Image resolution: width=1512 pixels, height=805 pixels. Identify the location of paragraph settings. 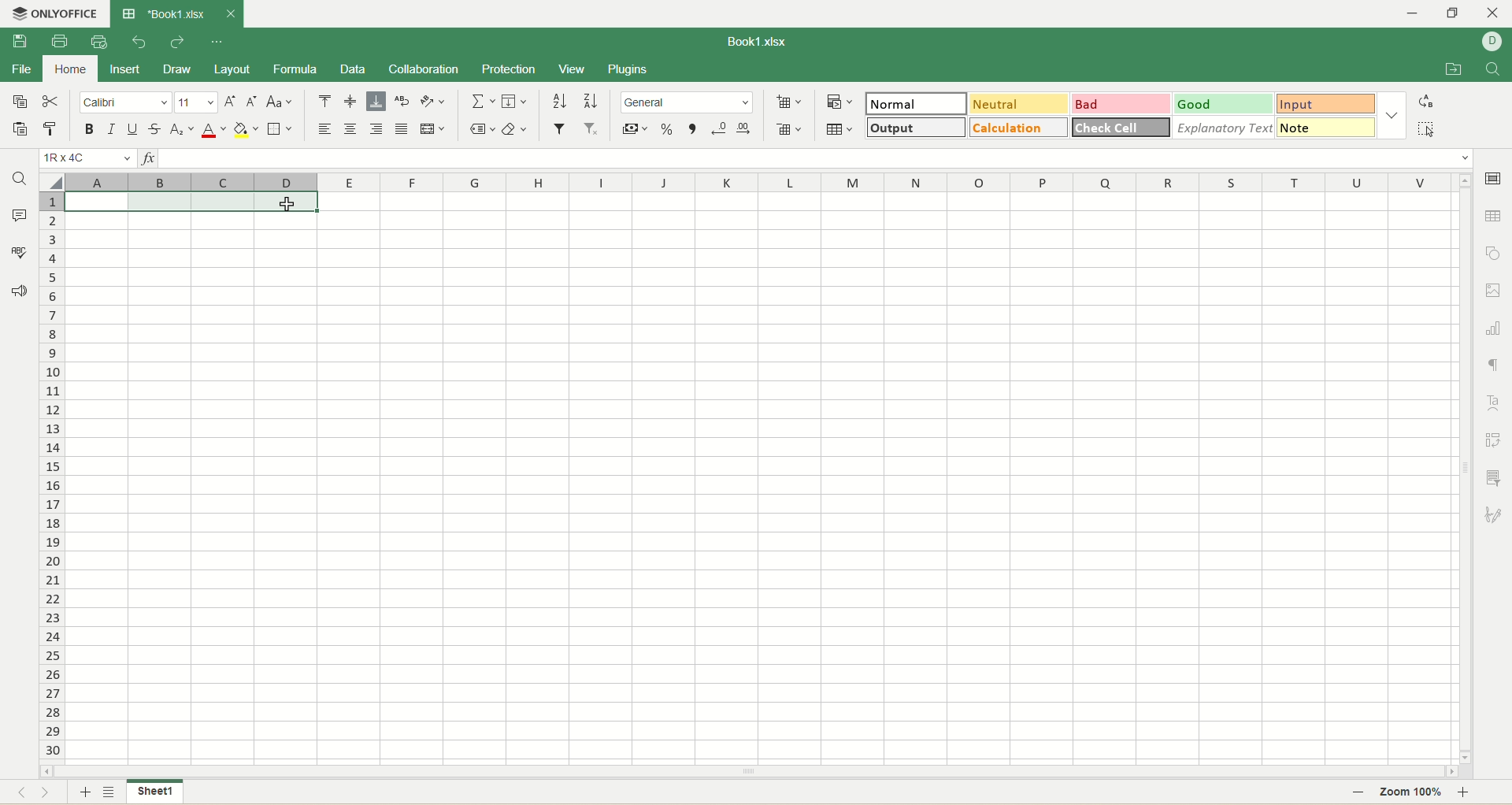
(1494, 361).